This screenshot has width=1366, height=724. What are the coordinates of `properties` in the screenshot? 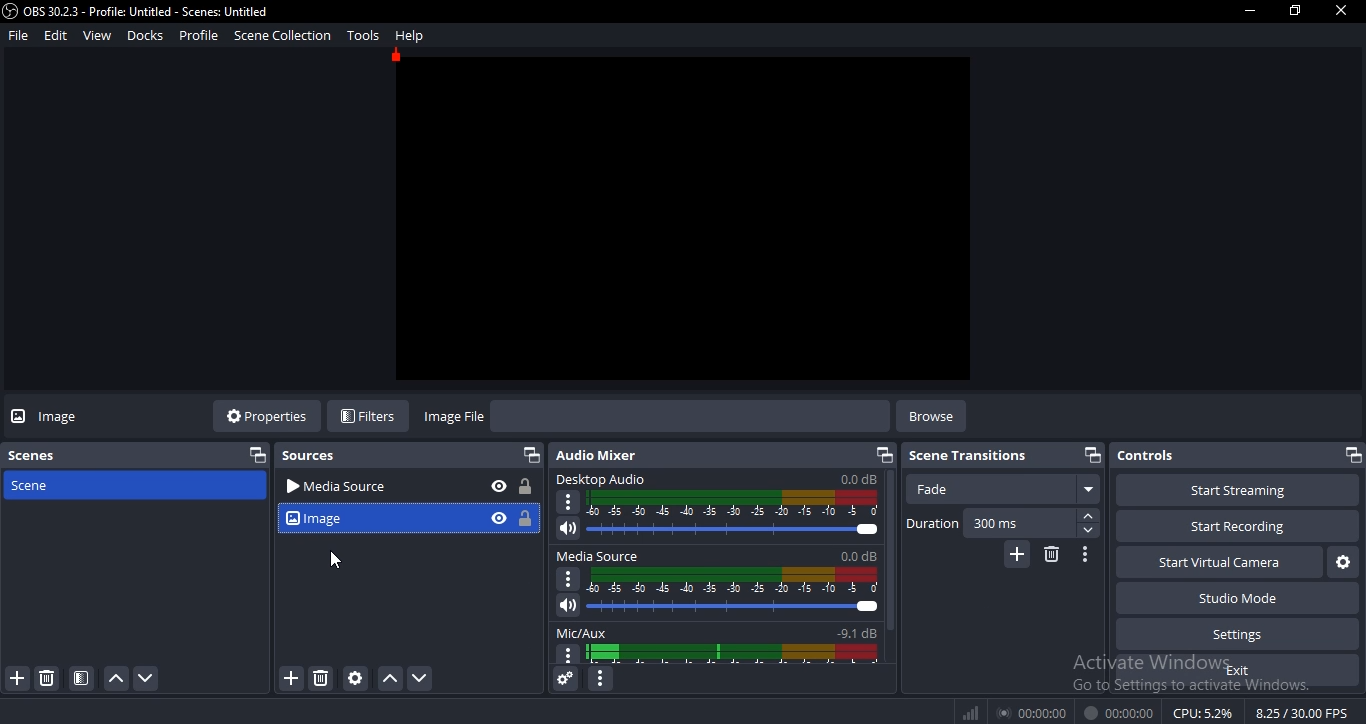 It's located at (270, 417).